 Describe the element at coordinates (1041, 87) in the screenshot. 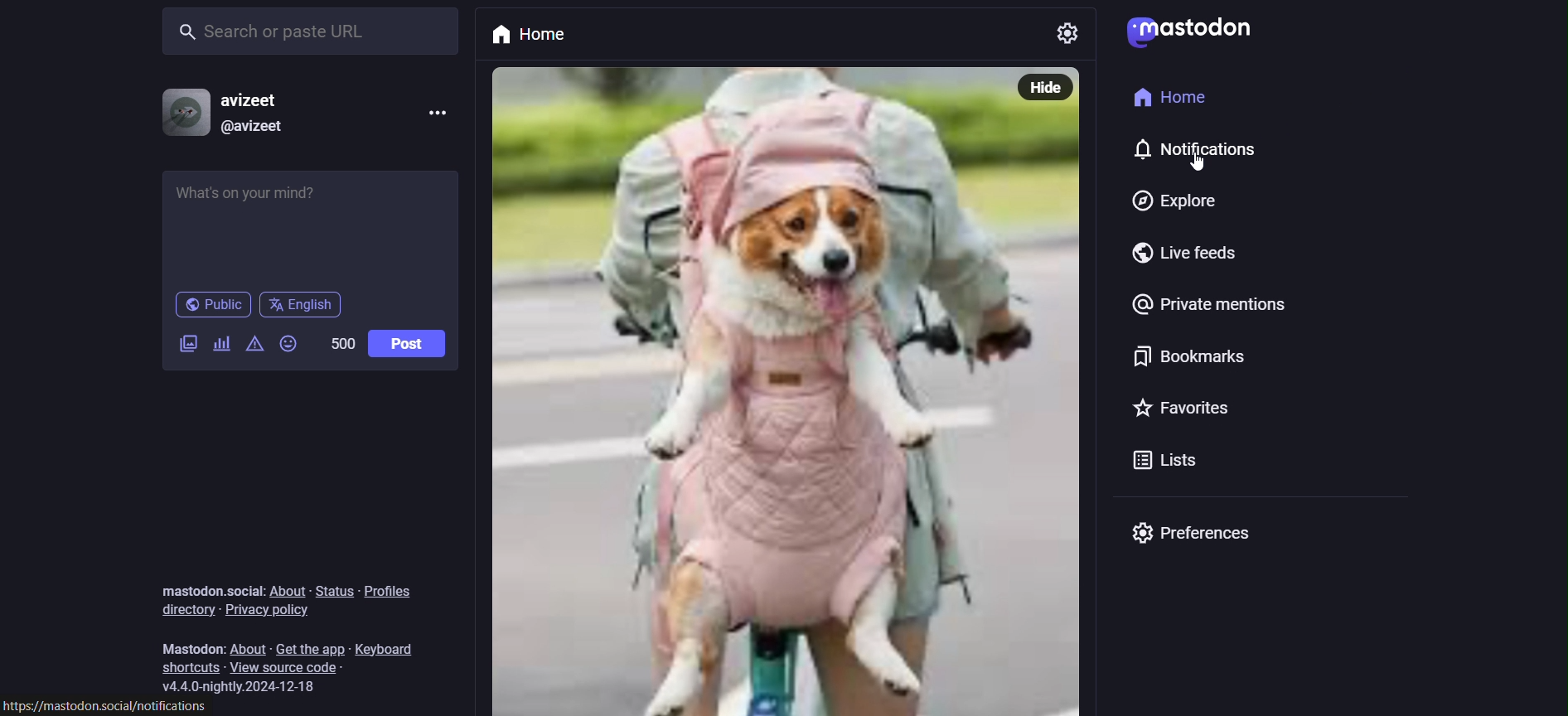

I see `hide` at that location.